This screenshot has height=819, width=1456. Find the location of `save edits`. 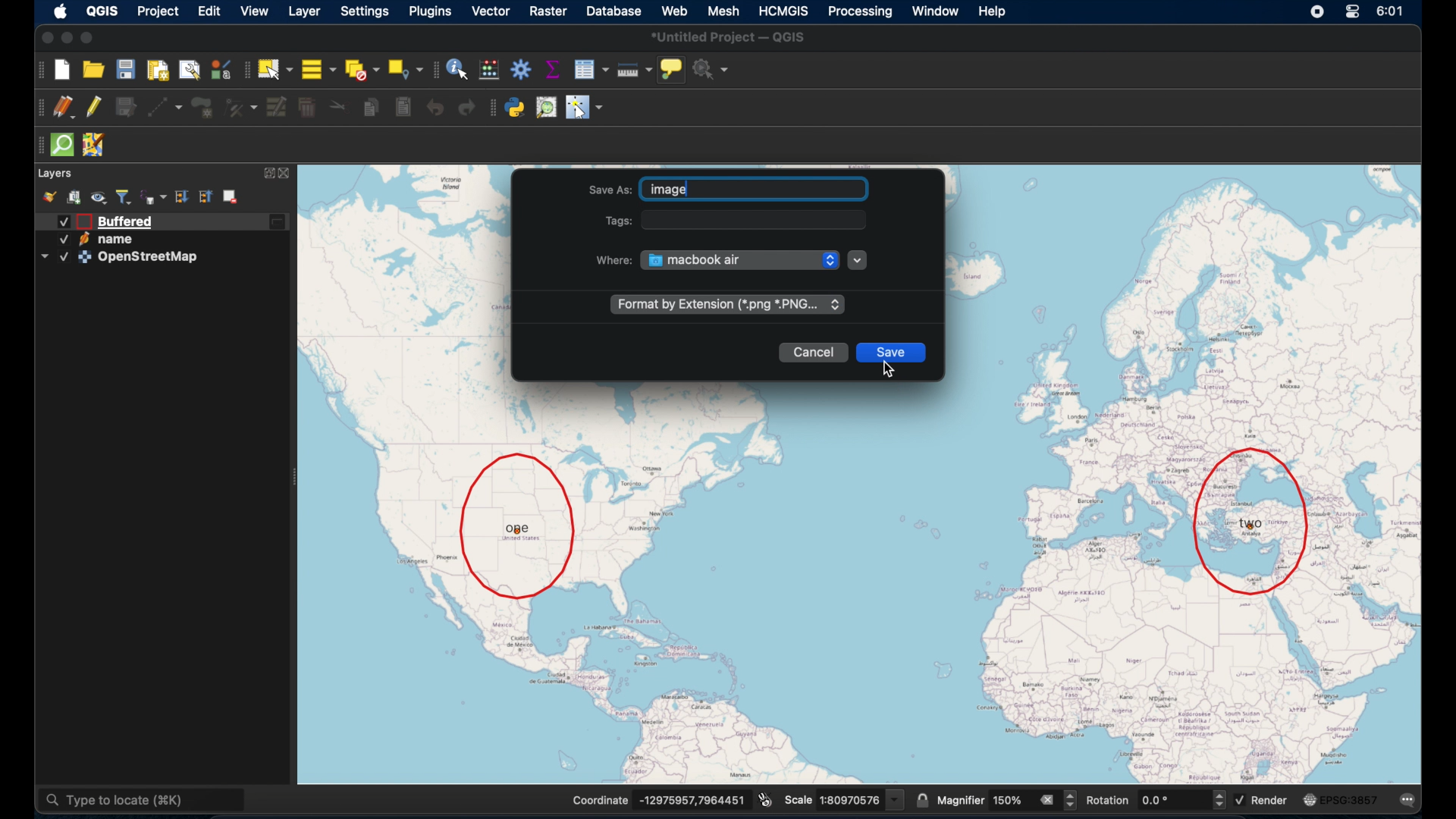

save edits is located at coordinates (124, 107).